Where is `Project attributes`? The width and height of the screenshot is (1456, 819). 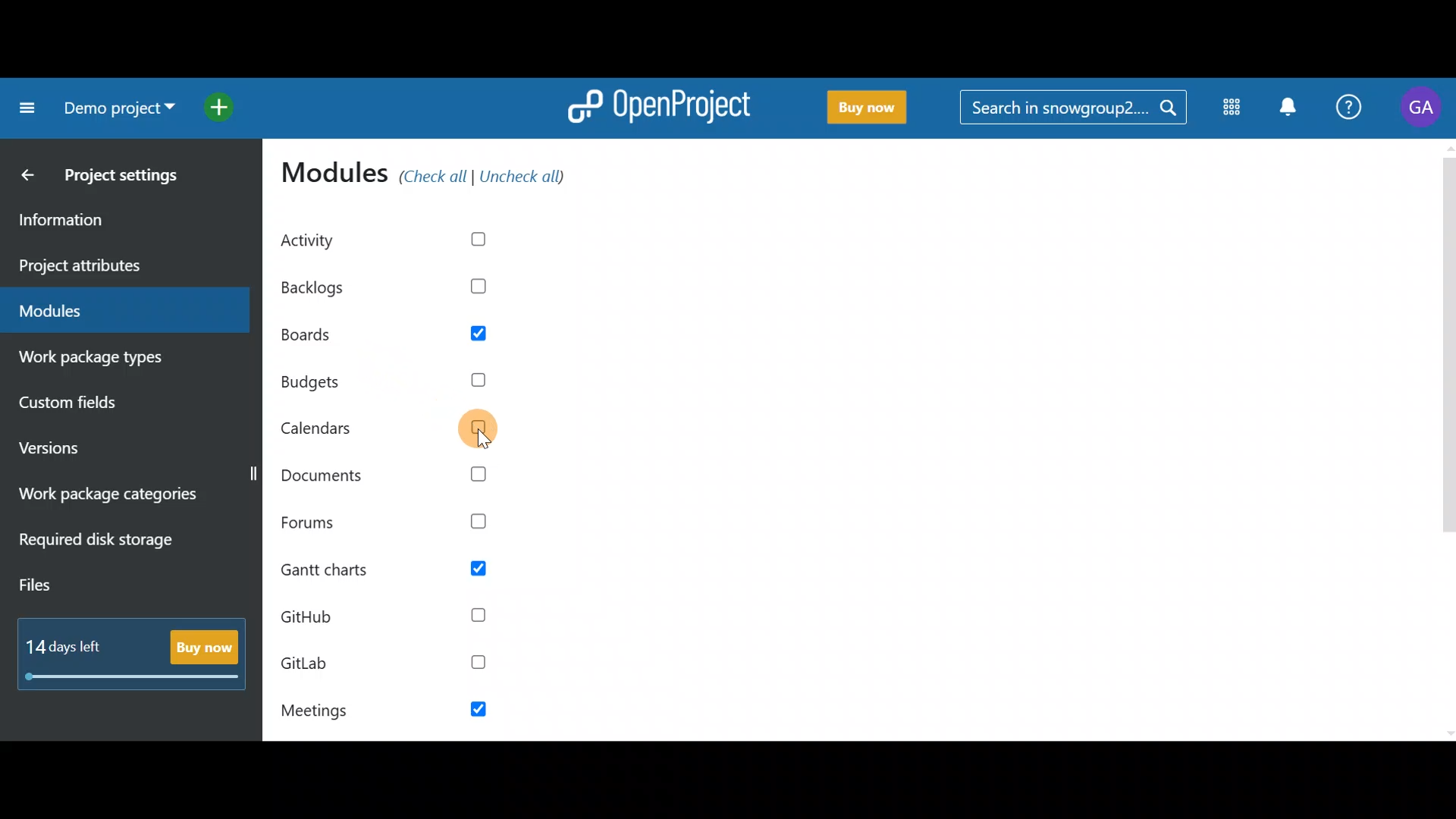
Project attributes is located at coordinates (120, 266).